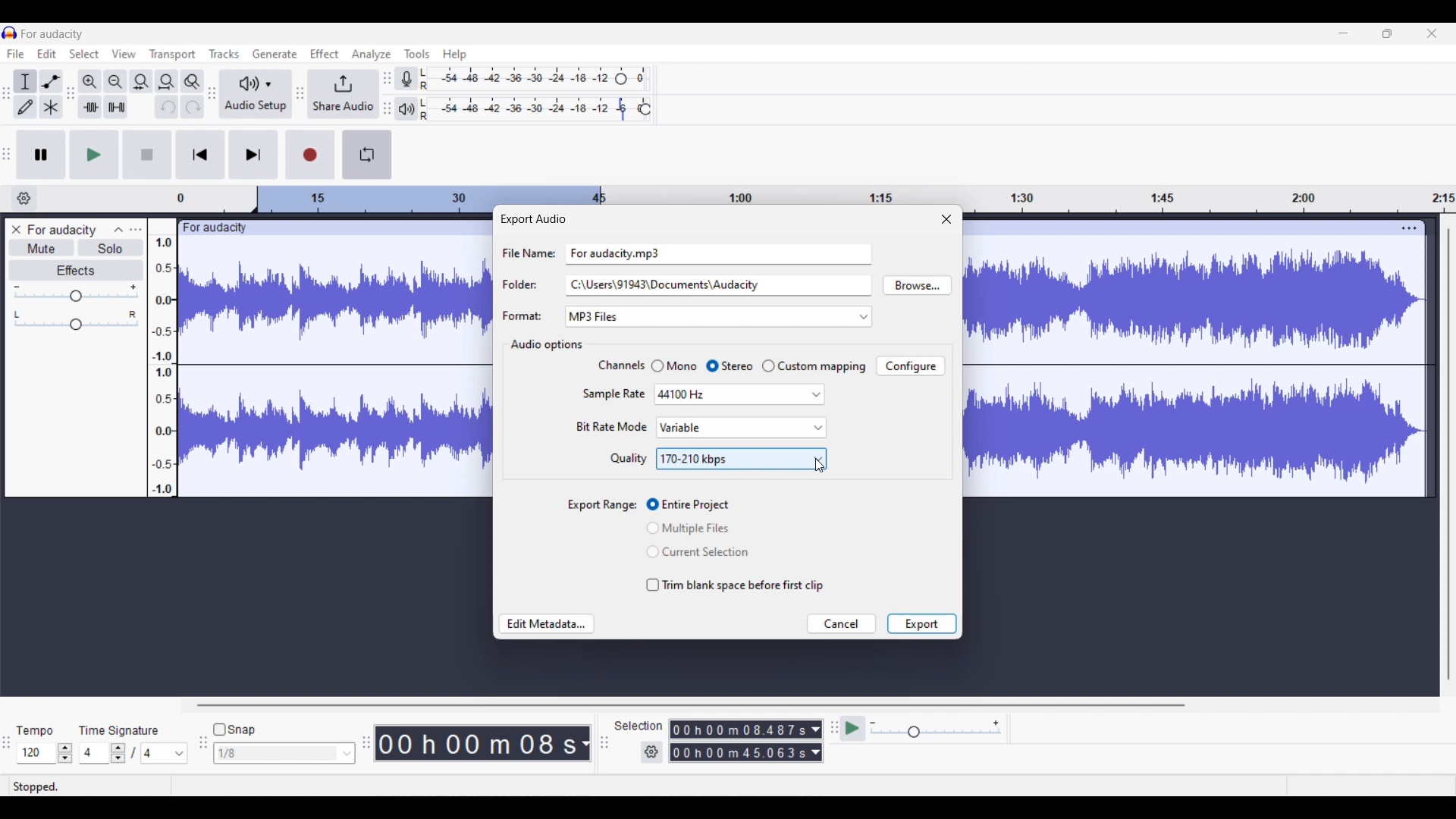 This screenshot has width=1456, height=819. I want to click on Toggle for Custom mapping, so click(814, 366).